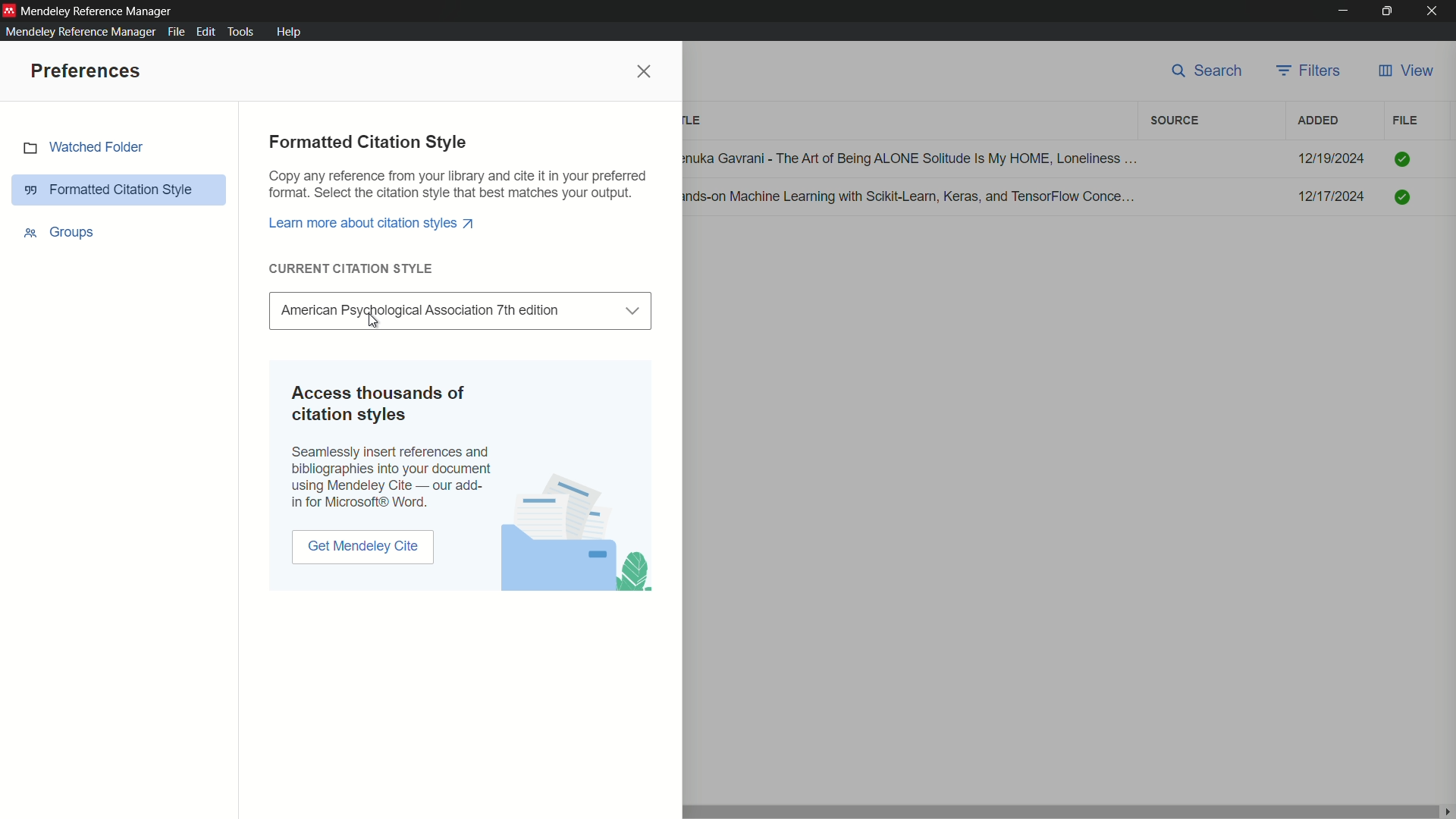 This screenshot has width=1456, height=819. I want to click on 12/19/2024, so click(1332, 158).